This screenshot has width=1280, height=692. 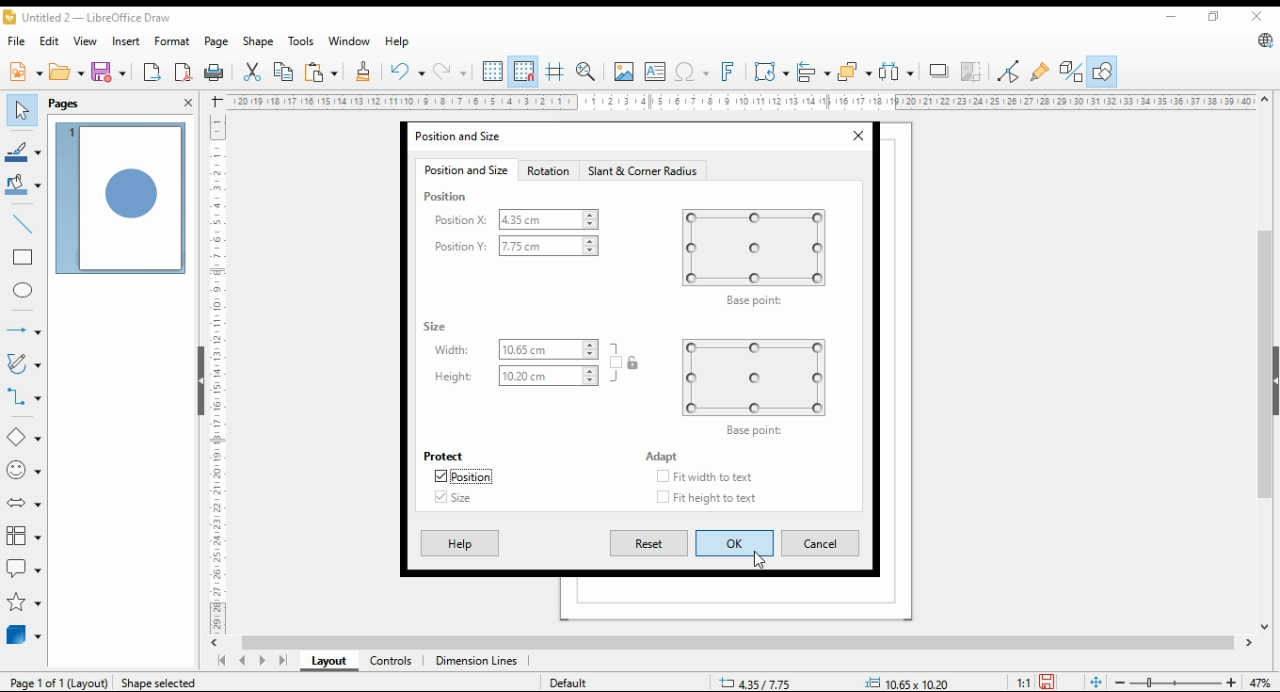 I want to click on previous page, so click(x=243, y=660).